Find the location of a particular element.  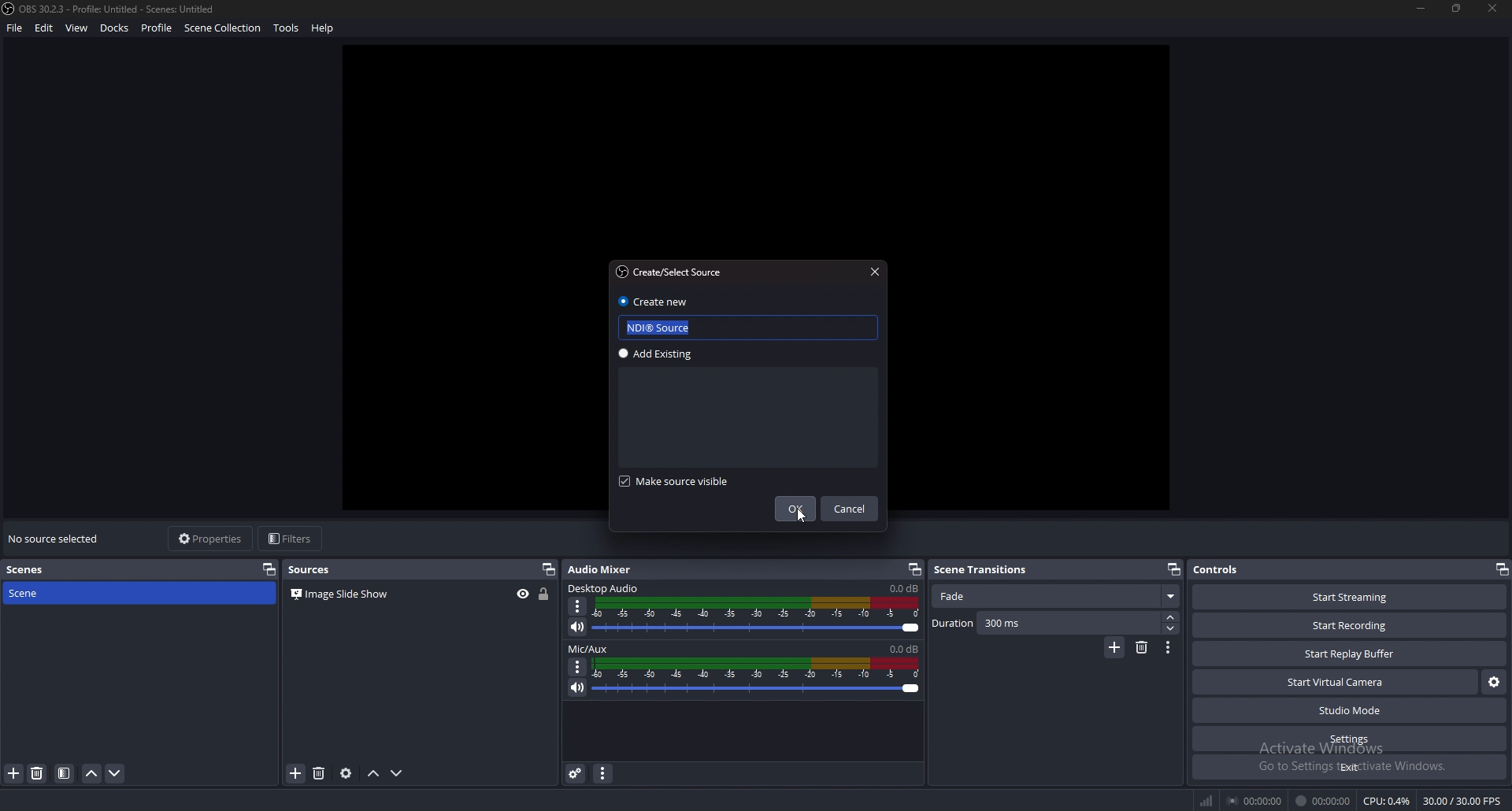

pop out is located at coordinates (268, 570).